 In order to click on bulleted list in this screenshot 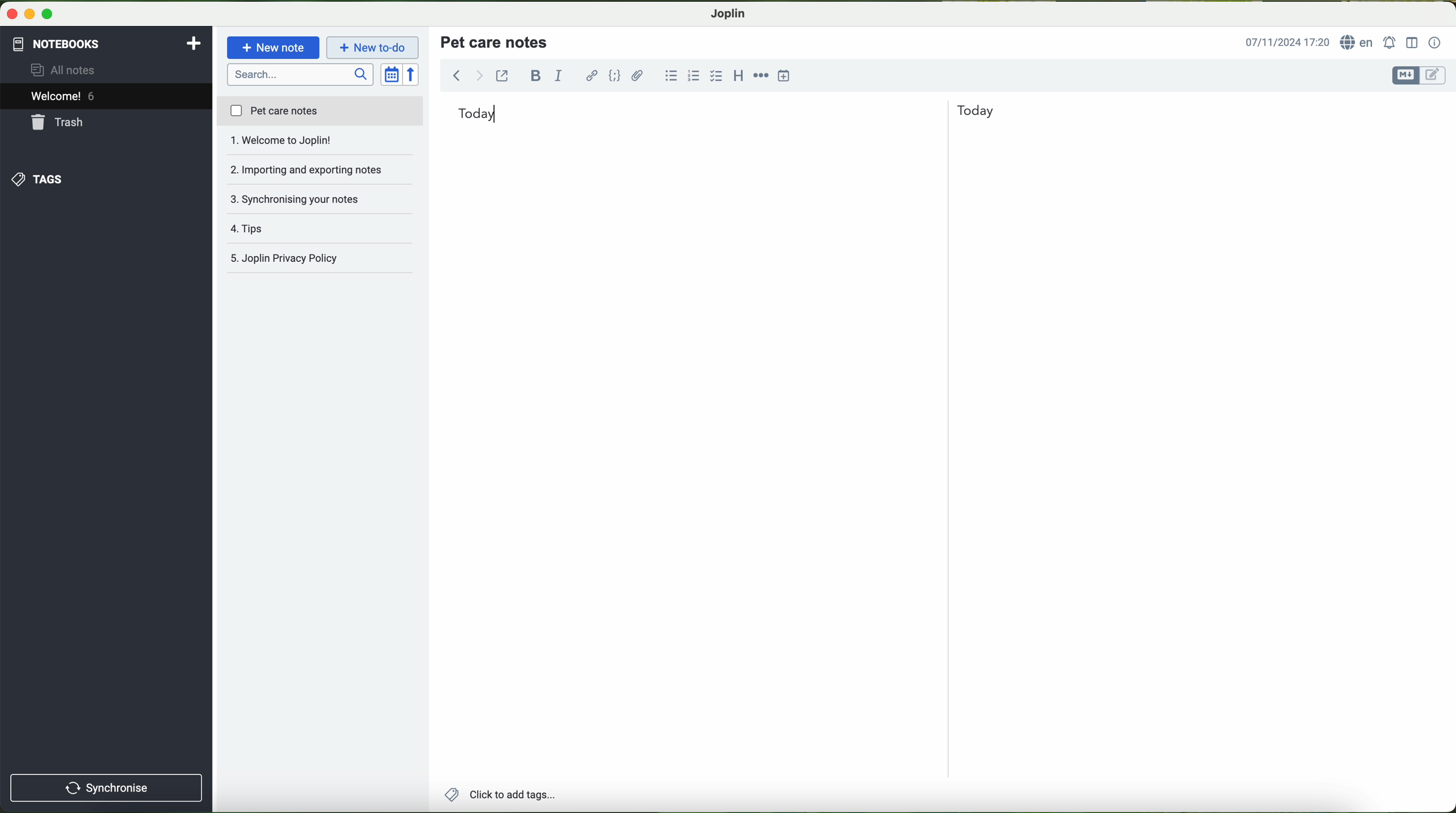, I will do `click(669, 76)`.